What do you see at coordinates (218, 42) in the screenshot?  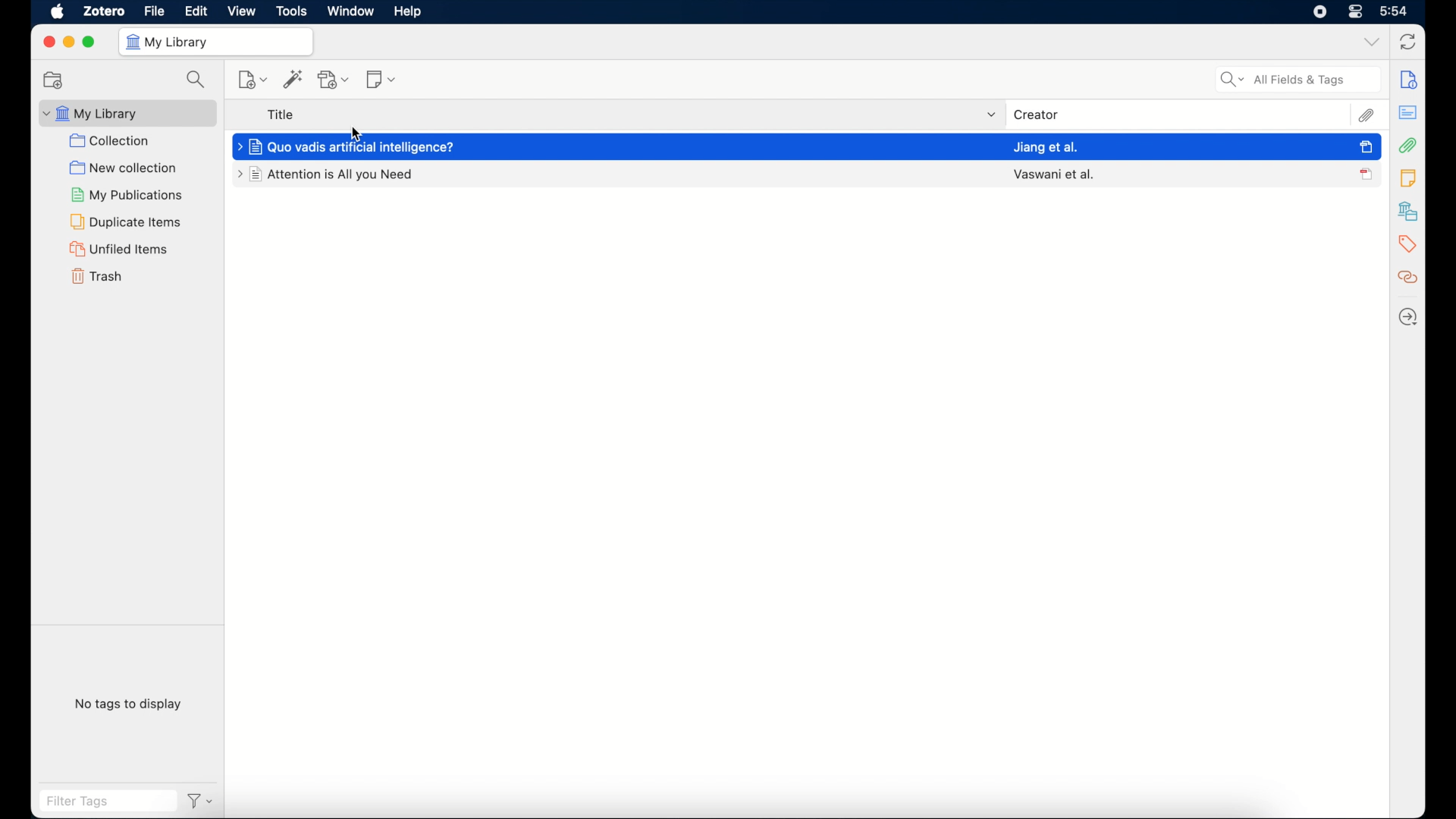 I see `my library tab` at bounding box center [218, 42].